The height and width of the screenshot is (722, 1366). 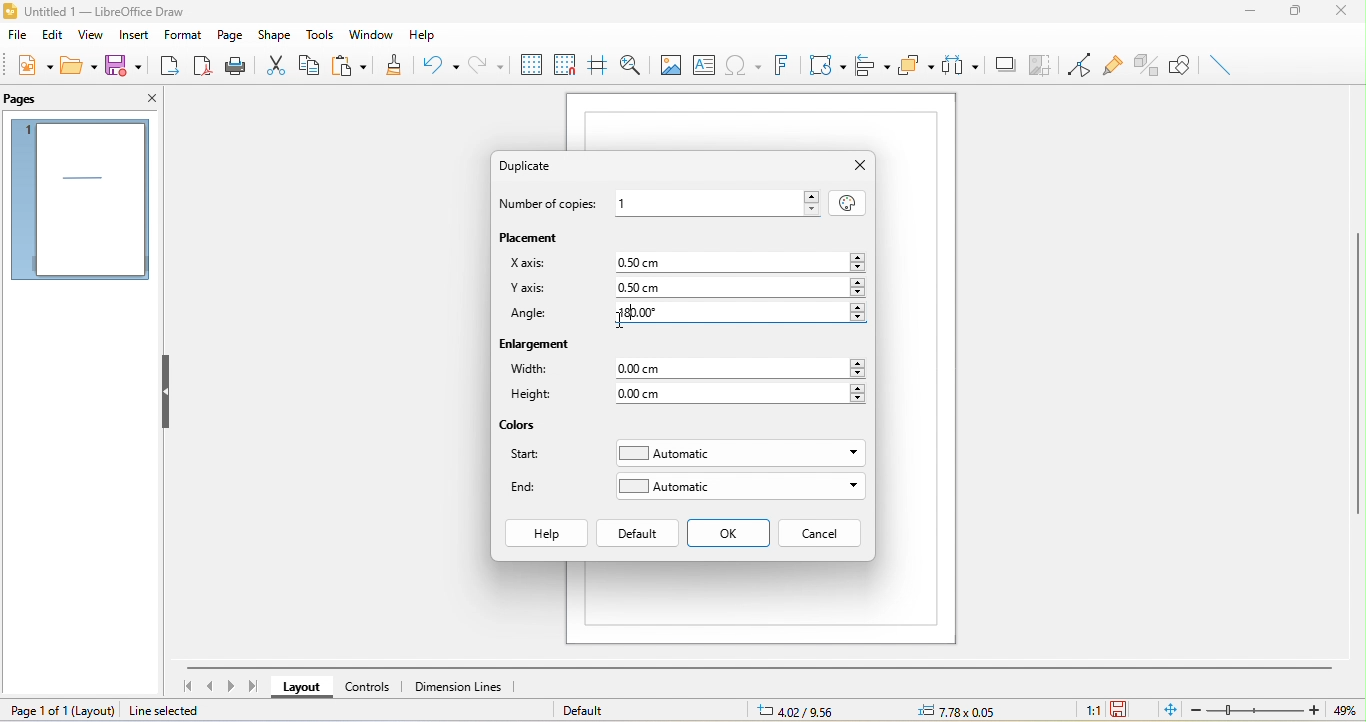 I want to click on page 1 of 1, so click(x=63, y=710).